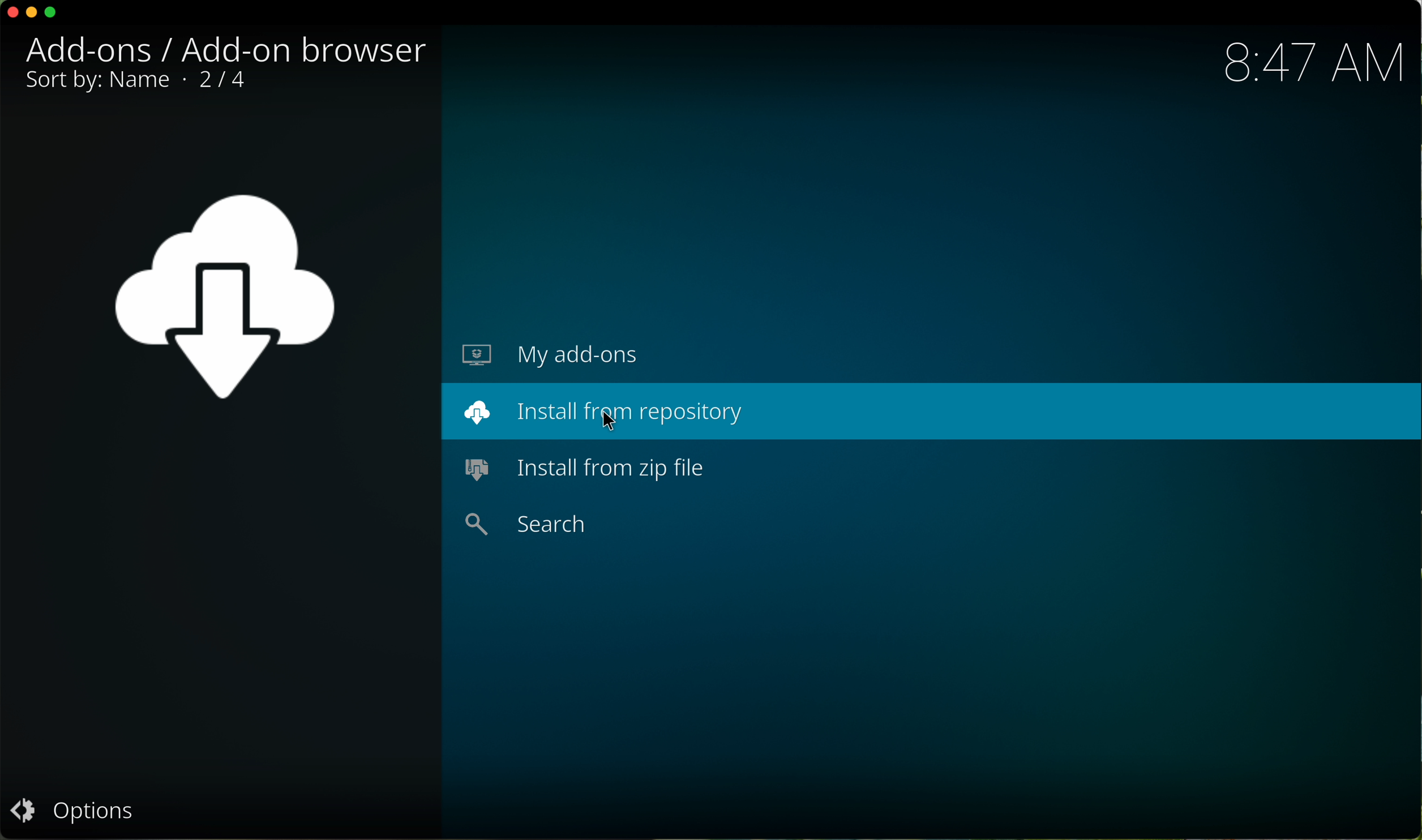  What do you see at coordinates (217, 291) in the screenshot?
I see `add-ons icon` at bounding box center [217, 291].